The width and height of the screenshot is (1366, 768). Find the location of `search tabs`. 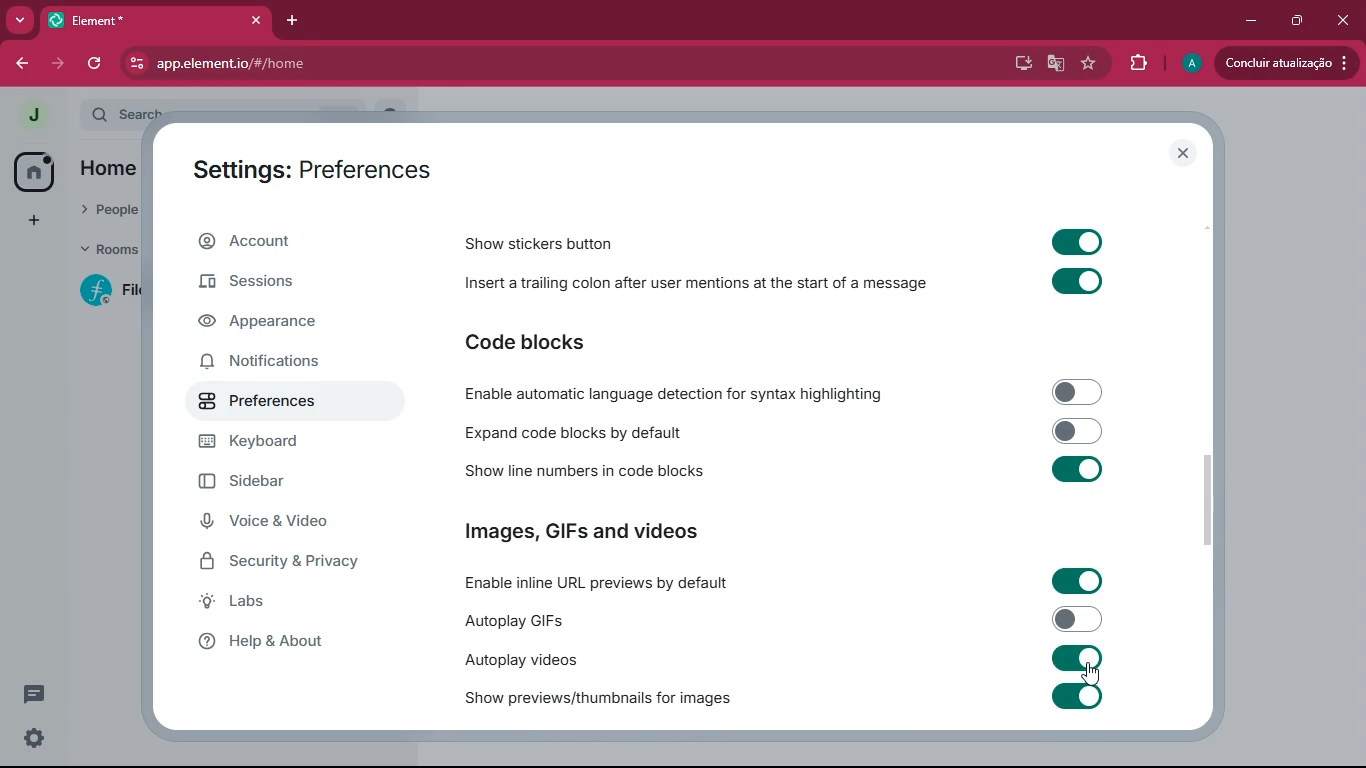

search tabs is located at coordinates (21, 22).